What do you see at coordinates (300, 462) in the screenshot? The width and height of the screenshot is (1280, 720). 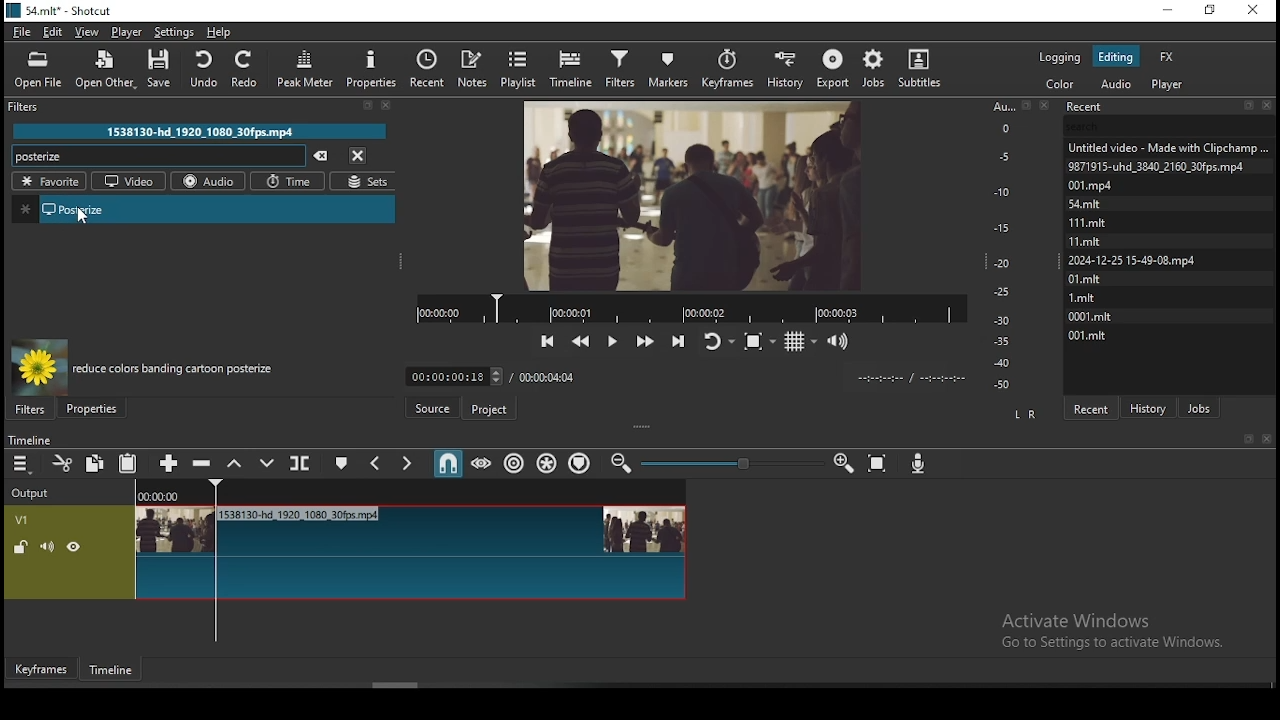 I see `split at playhead` at bounding box center [300, 462].